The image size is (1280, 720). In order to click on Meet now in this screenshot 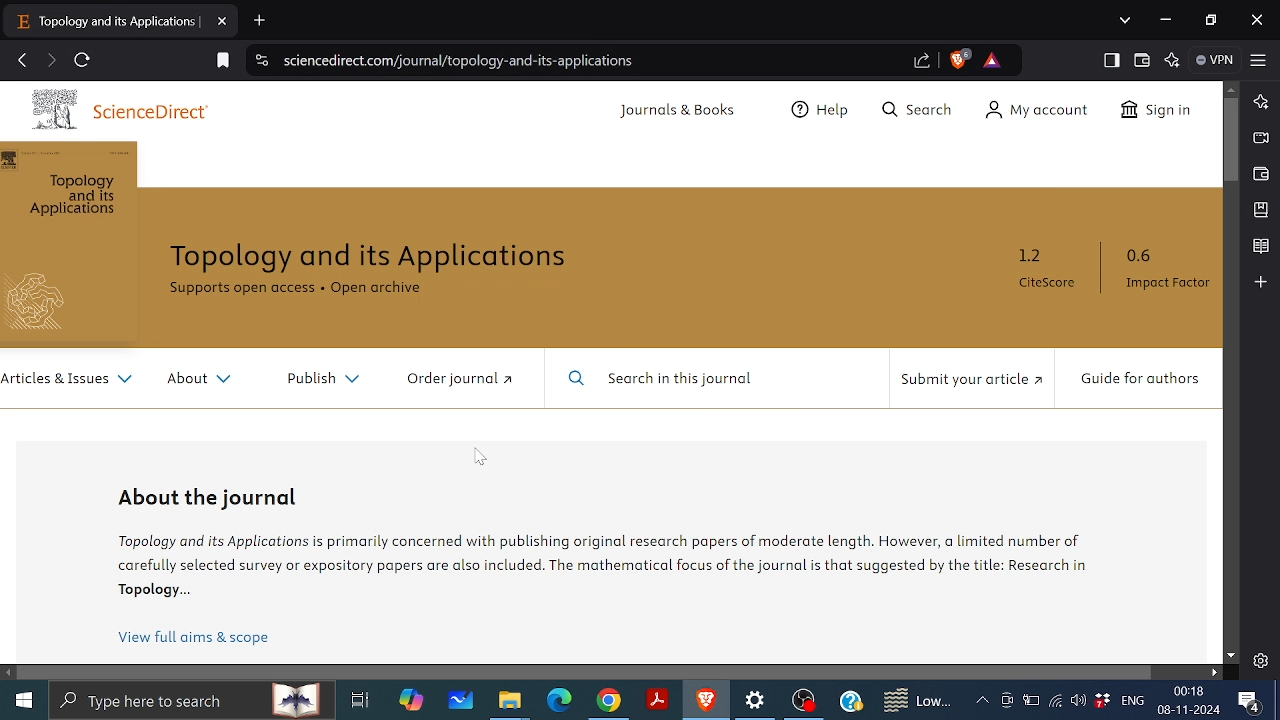, I will do `click(1007, 699)`.